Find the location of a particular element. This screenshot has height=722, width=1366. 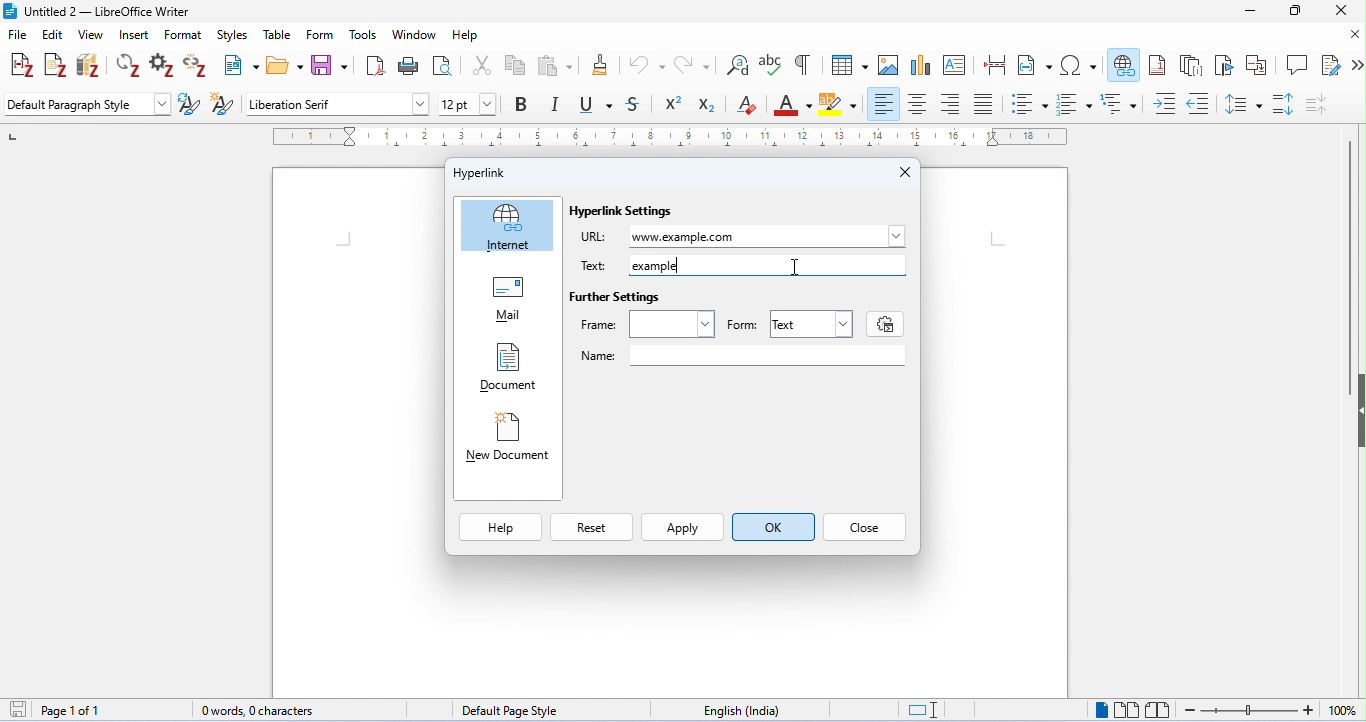

insert endnote is located at coordinates (1193, 65).